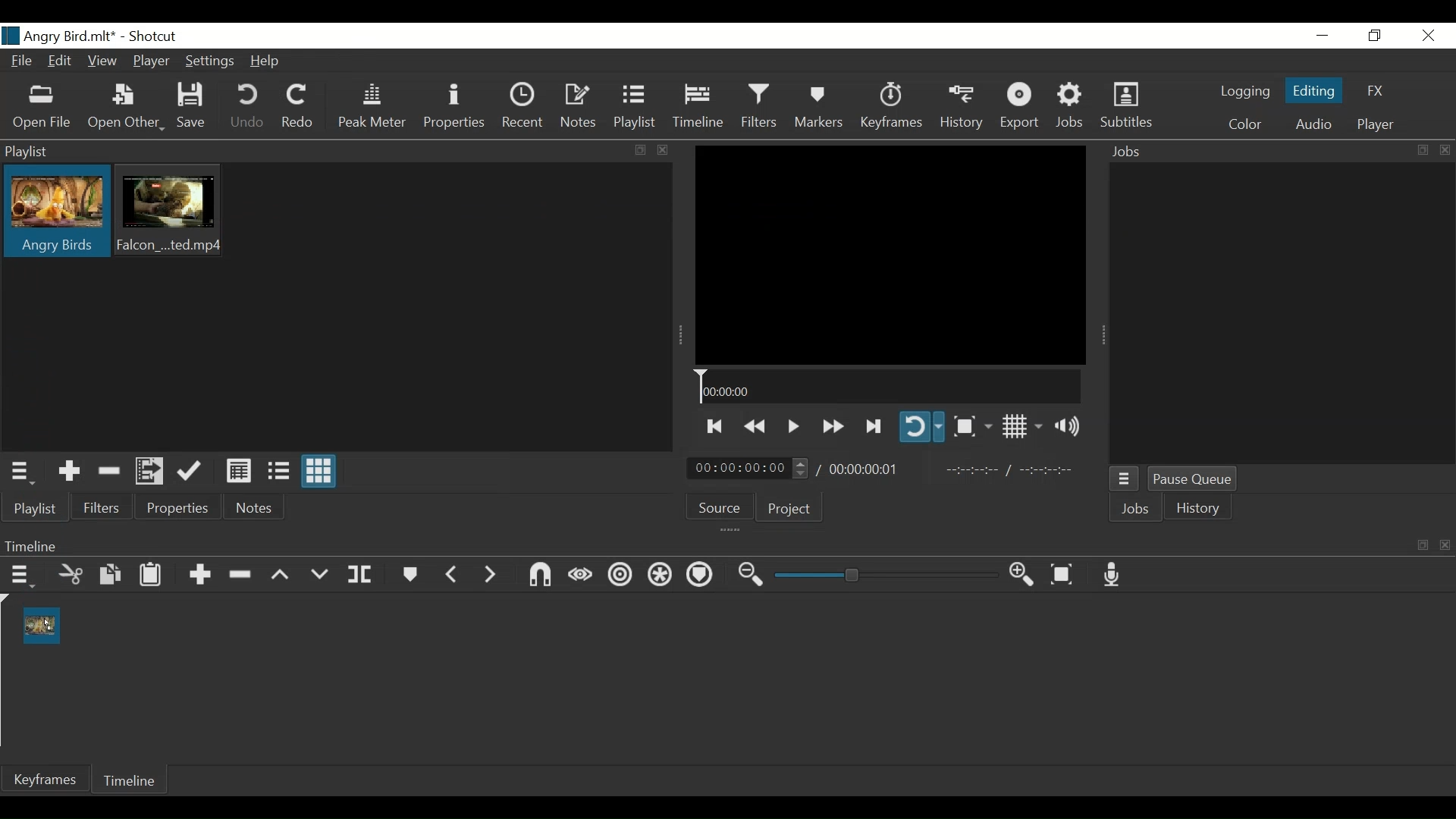 The width and height of the screenshot is (1456, 819). Describe the element at coordinates (1126, 478) in the screenshot. I see `Jobs menu` at that location.